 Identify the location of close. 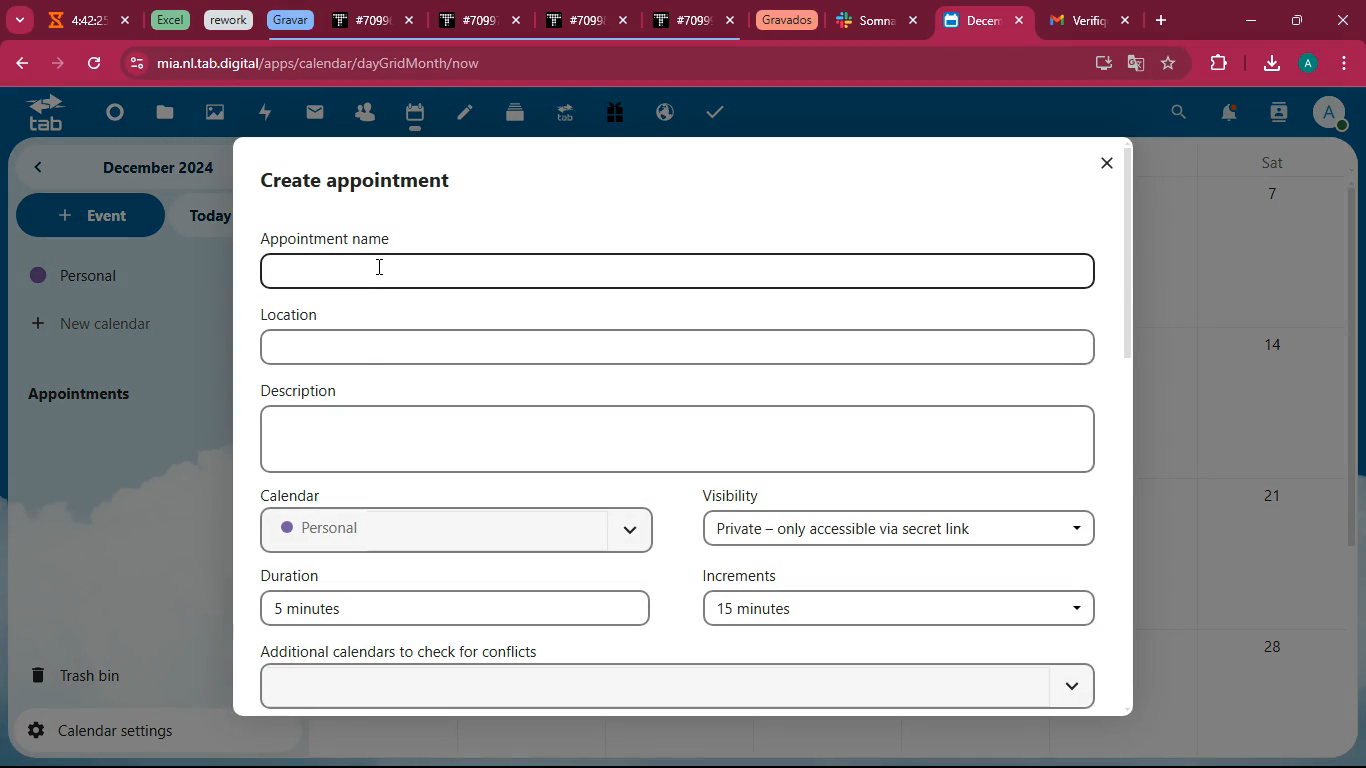
(521, 24).